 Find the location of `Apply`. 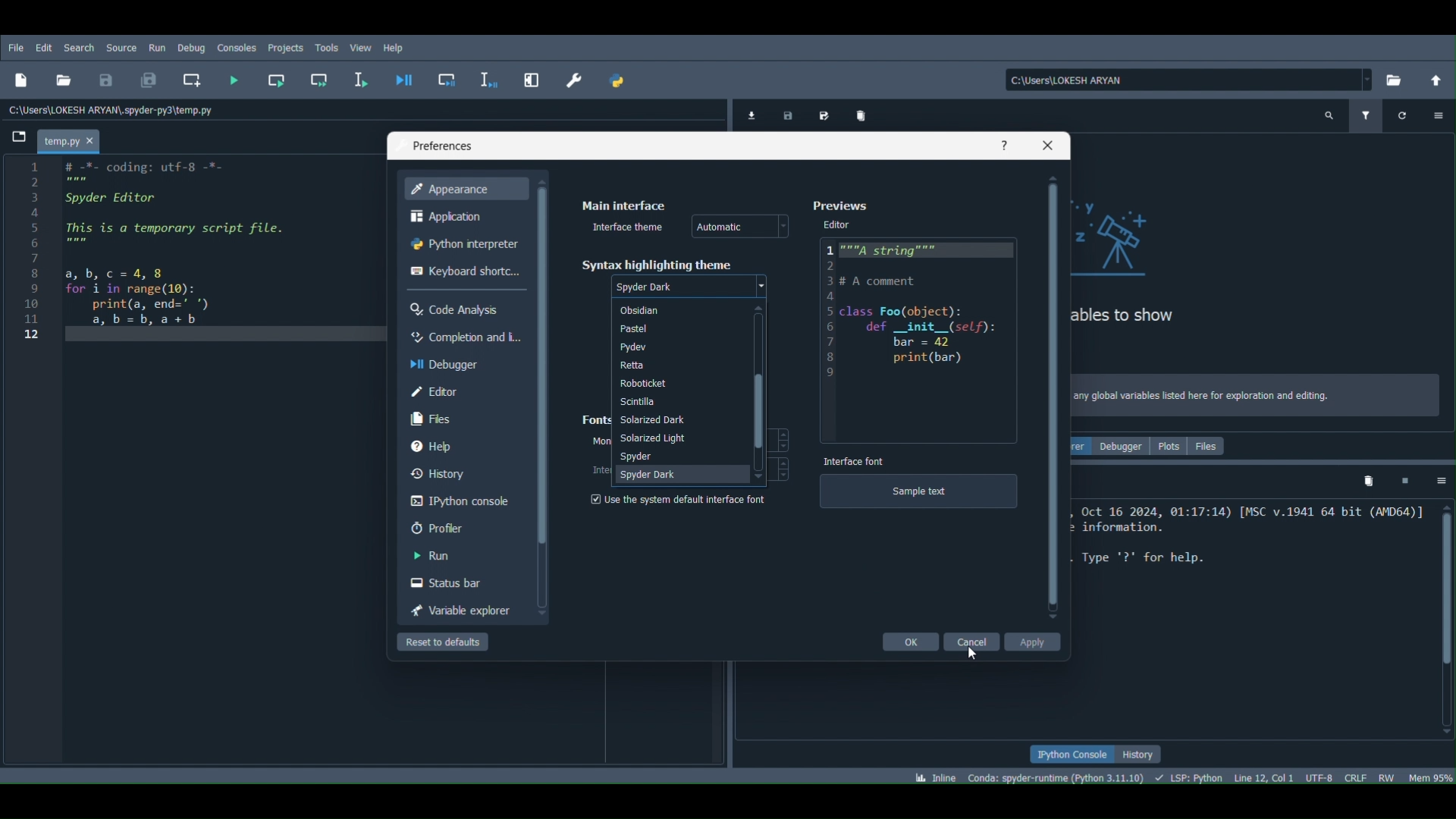

Apply is located at coordinates (1032, 641).